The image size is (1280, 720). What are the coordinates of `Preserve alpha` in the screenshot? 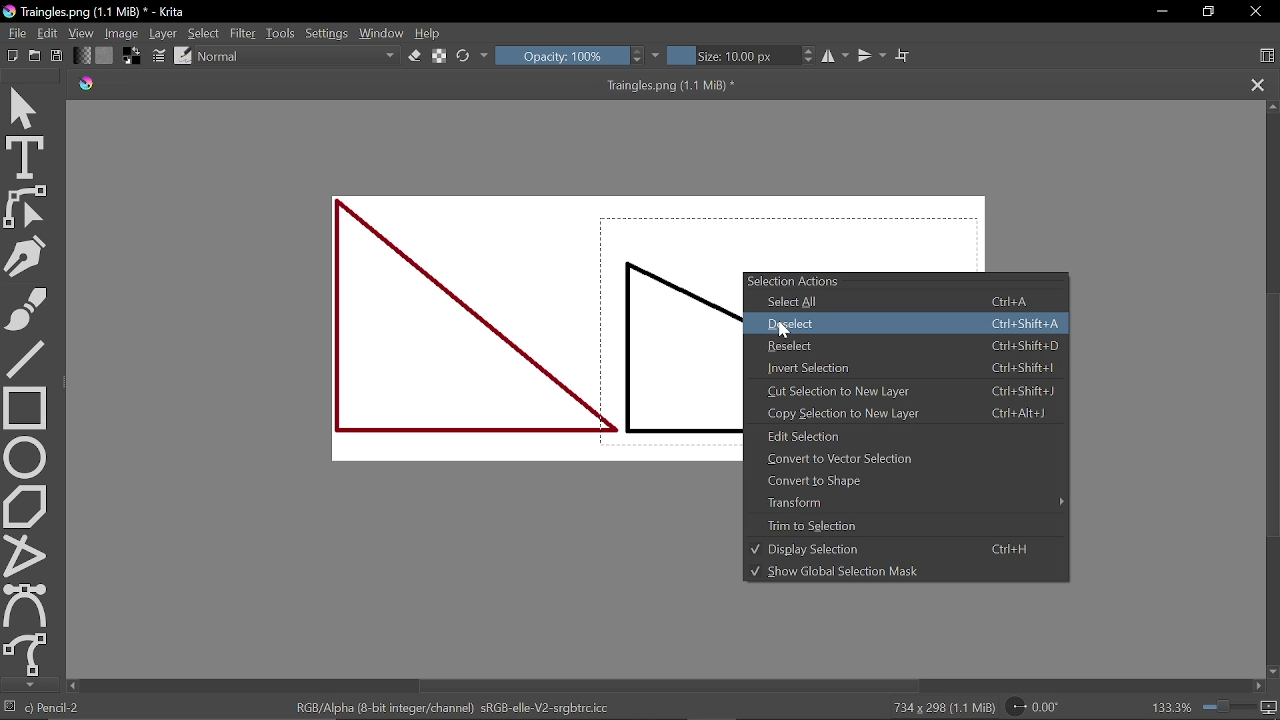 It's located at (437, 54).